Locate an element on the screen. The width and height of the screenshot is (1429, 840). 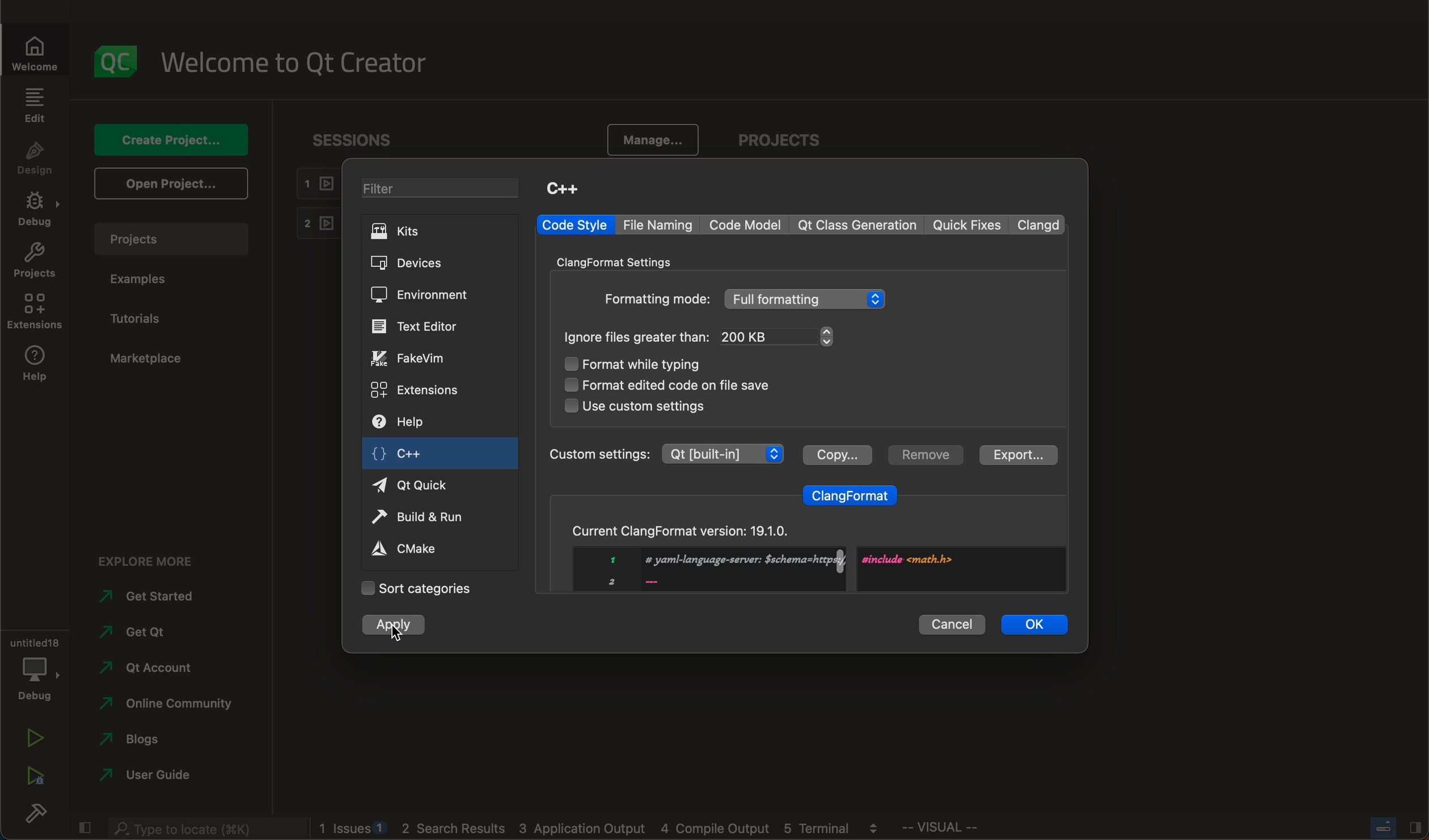
Apply is located at coordinates (401, 625).